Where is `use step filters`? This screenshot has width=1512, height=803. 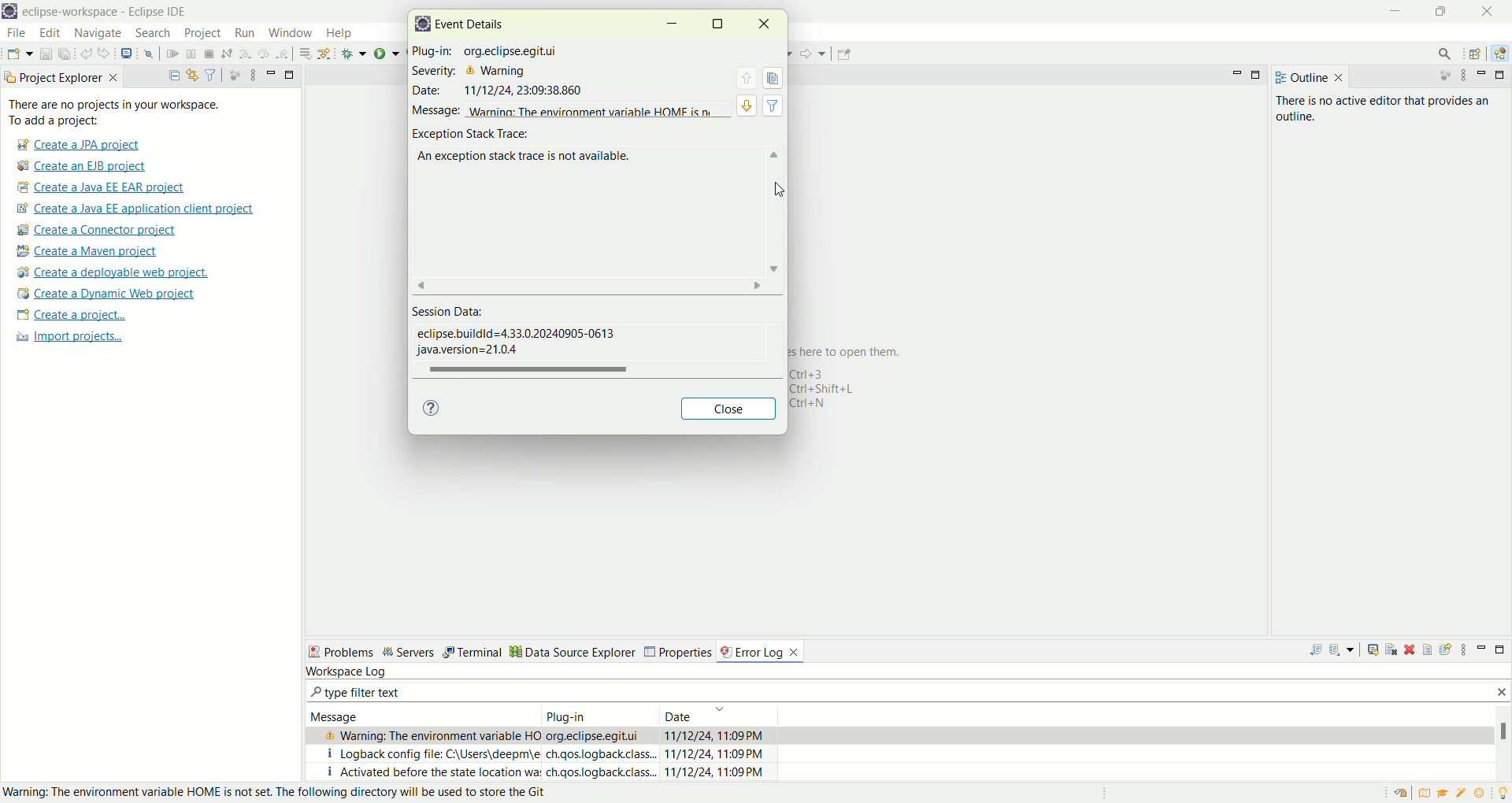
use step filters is located at coordinates (323, 54).